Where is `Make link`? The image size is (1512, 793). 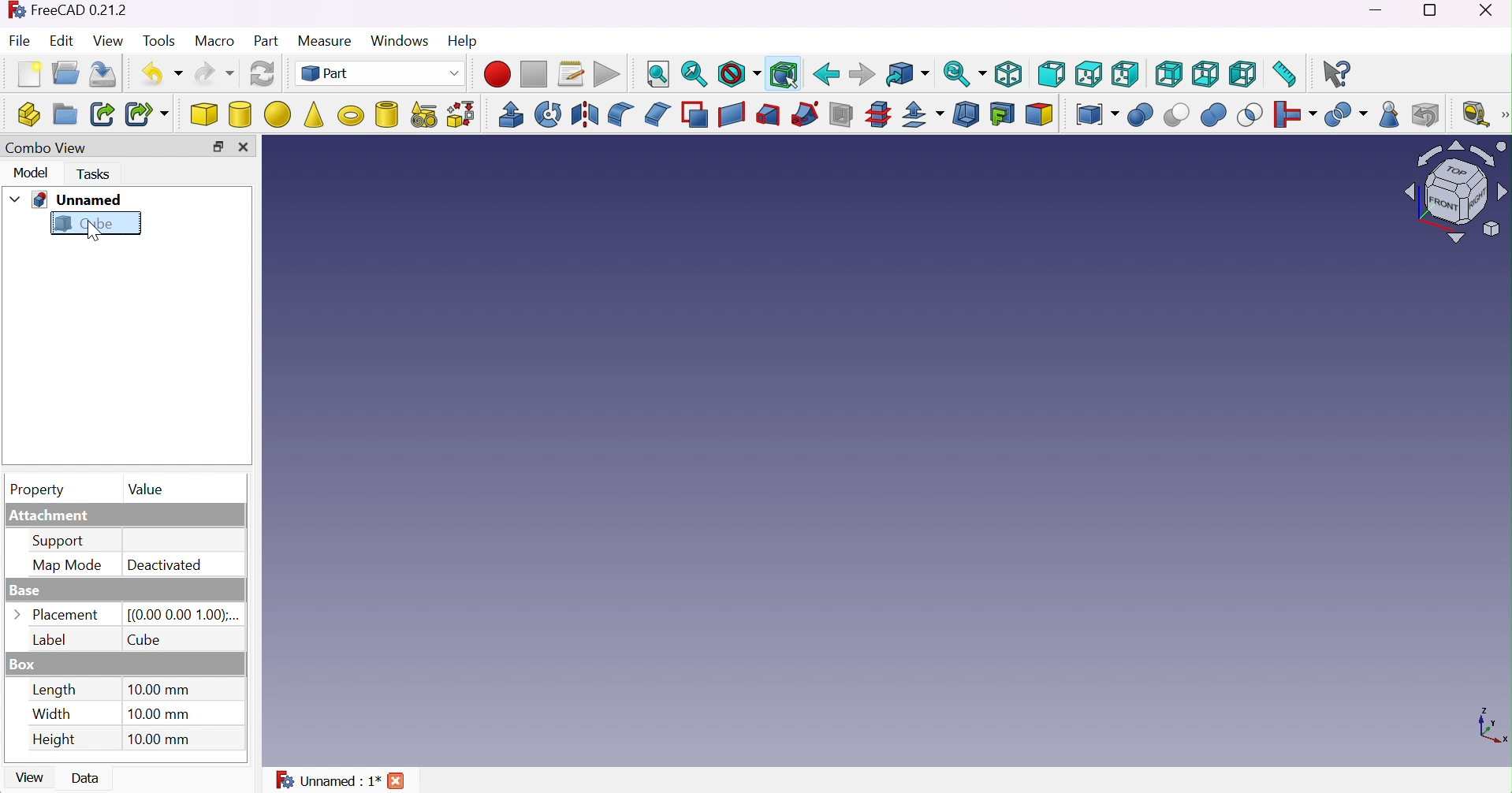 Make link is located at coordinates (102, 115).